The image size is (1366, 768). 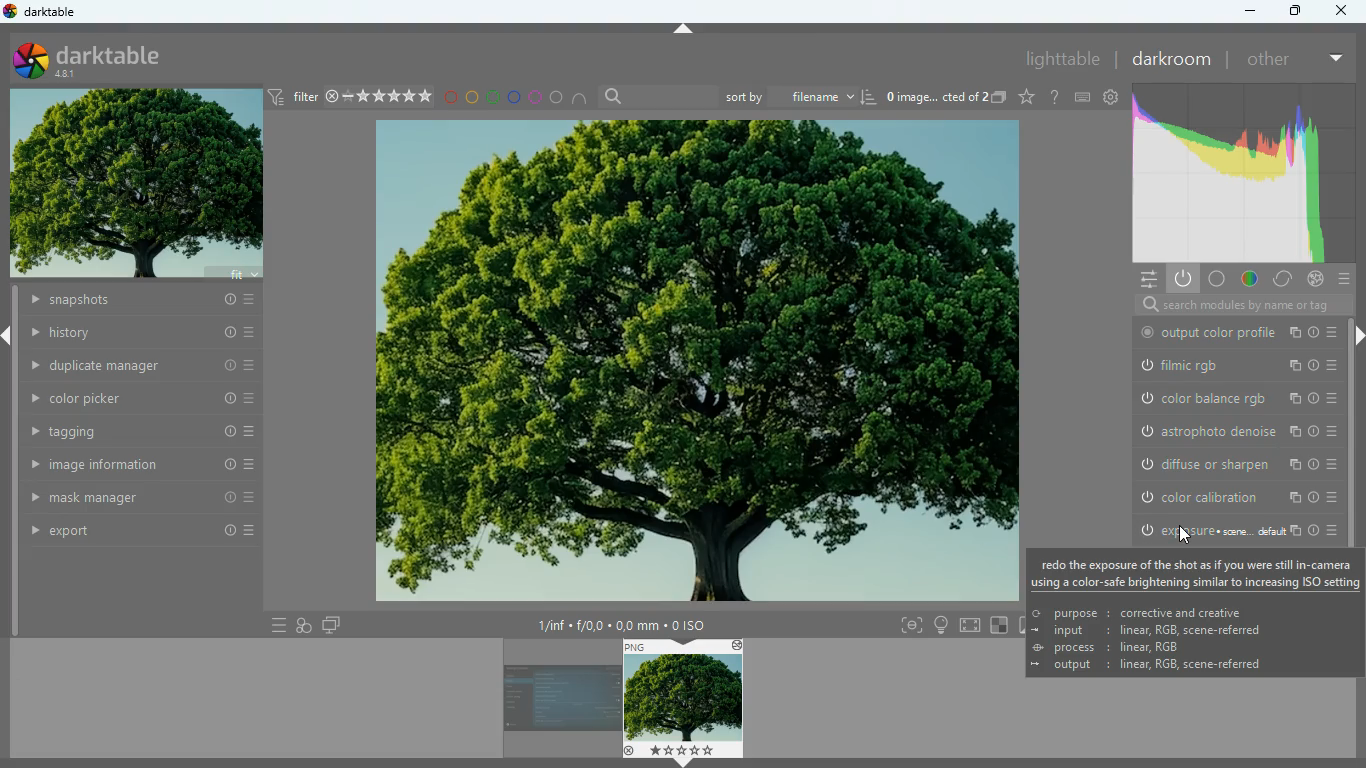 What do you see at coordinates (1055, 100) in the screenshot?
I see `settings` at bounding box center [1055, 100].